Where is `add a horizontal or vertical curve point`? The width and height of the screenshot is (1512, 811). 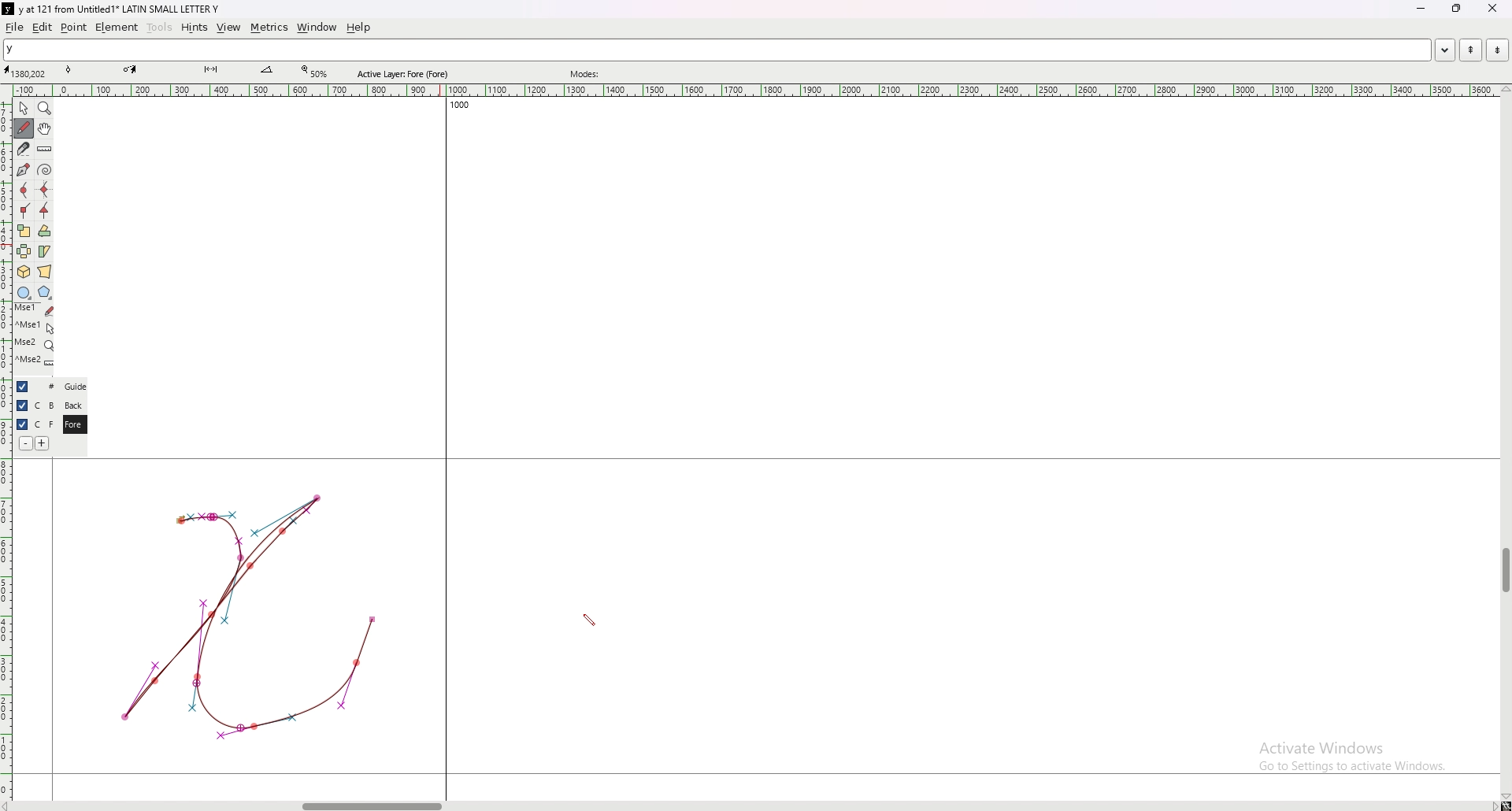
add a horizontal or vertical curve point is located at coordinates (45, 190).